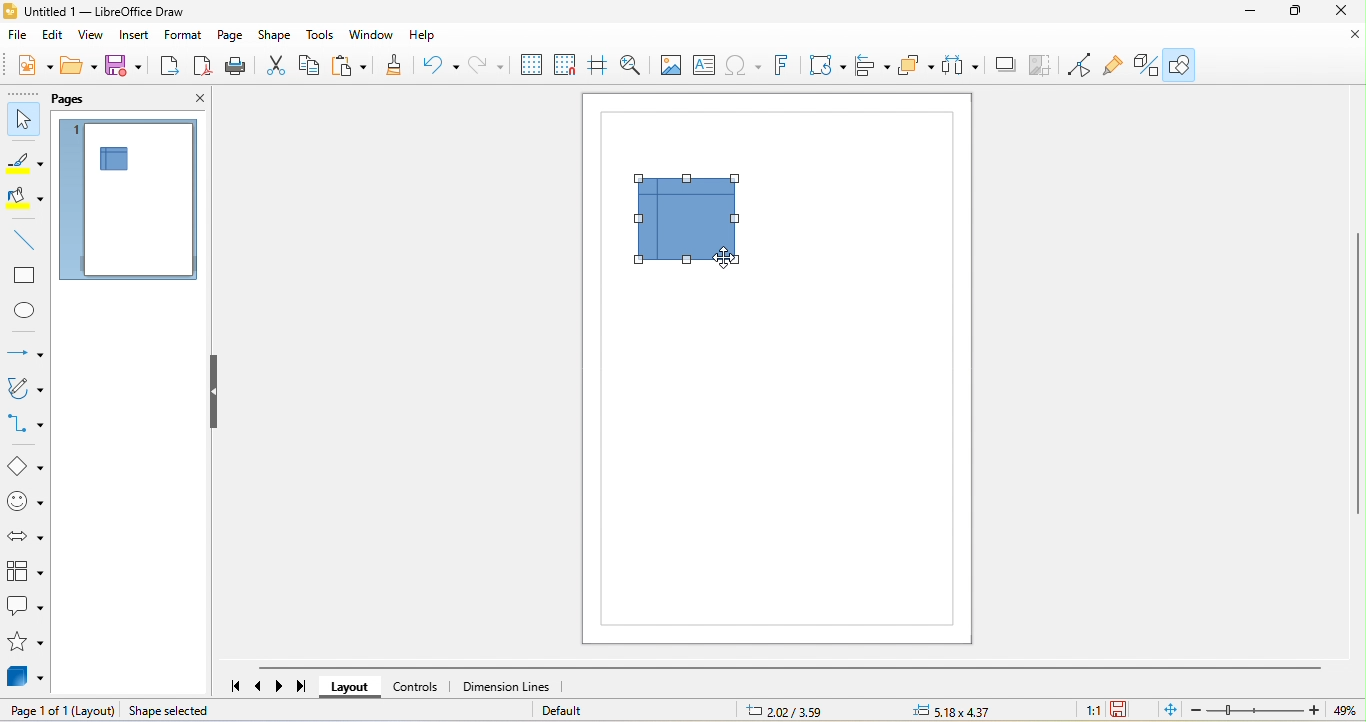  What do you see at coordinates (1298, 14) in the screenshot?
I see `maximize` at bounding box center [1298, 14].